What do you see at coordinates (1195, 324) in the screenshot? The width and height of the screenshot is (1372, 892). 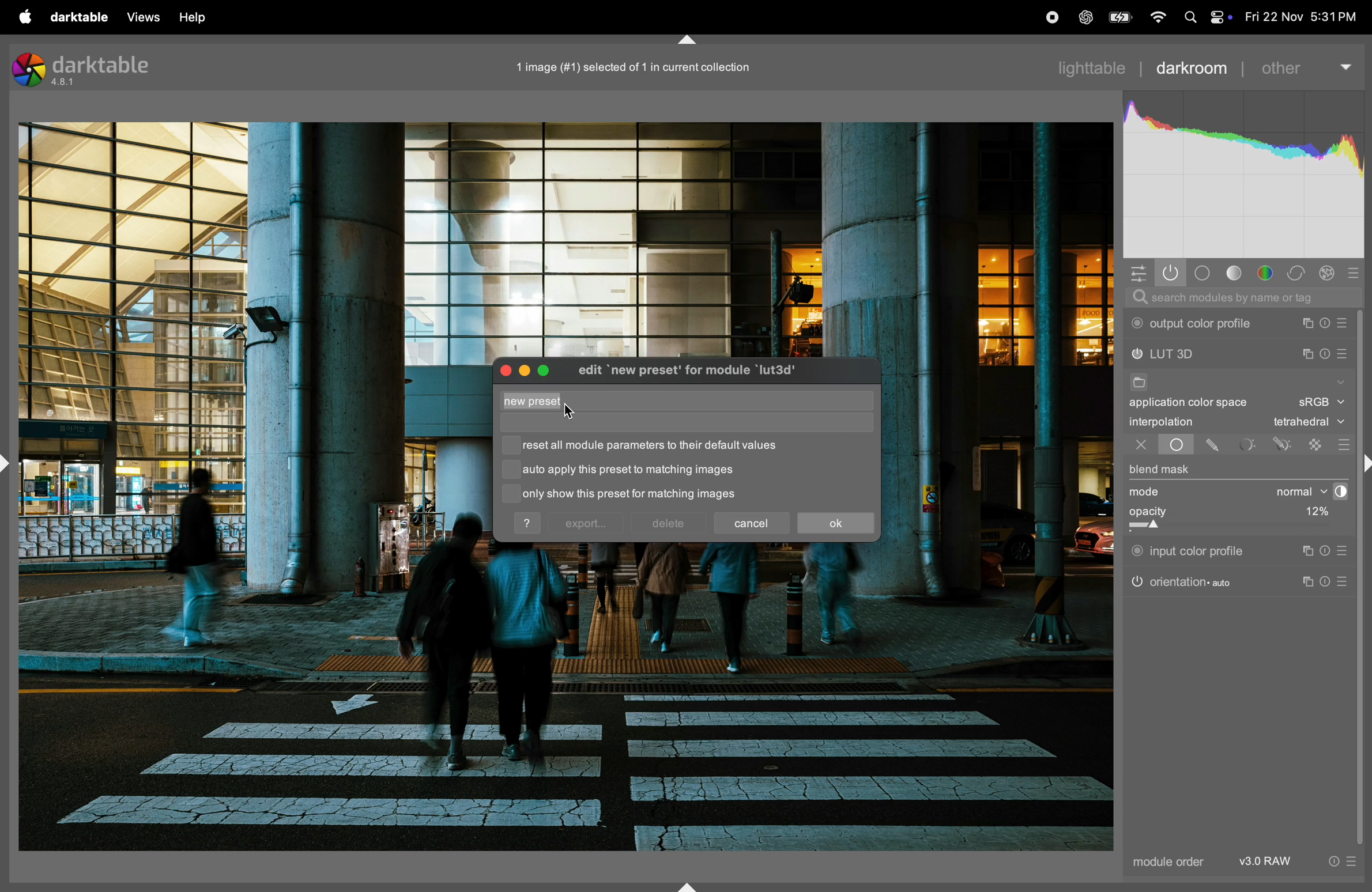 I see `output color profile` at bounding box center [1195, 324].